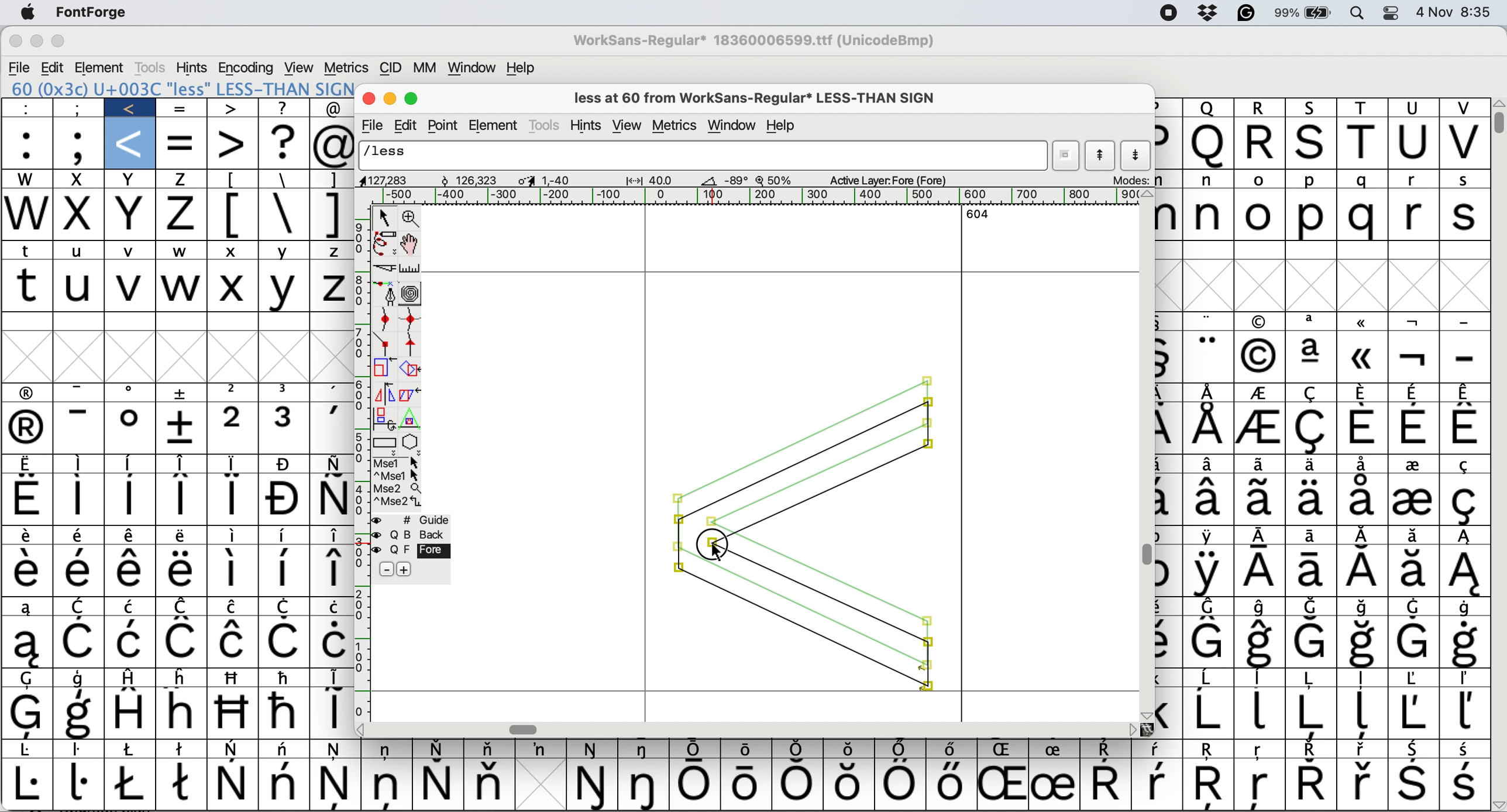 Image resolution: width=1507 pixels, height=812 pixels. Describe the element at coordinates (100, 67) in the screenshot. I see `element` at that location.